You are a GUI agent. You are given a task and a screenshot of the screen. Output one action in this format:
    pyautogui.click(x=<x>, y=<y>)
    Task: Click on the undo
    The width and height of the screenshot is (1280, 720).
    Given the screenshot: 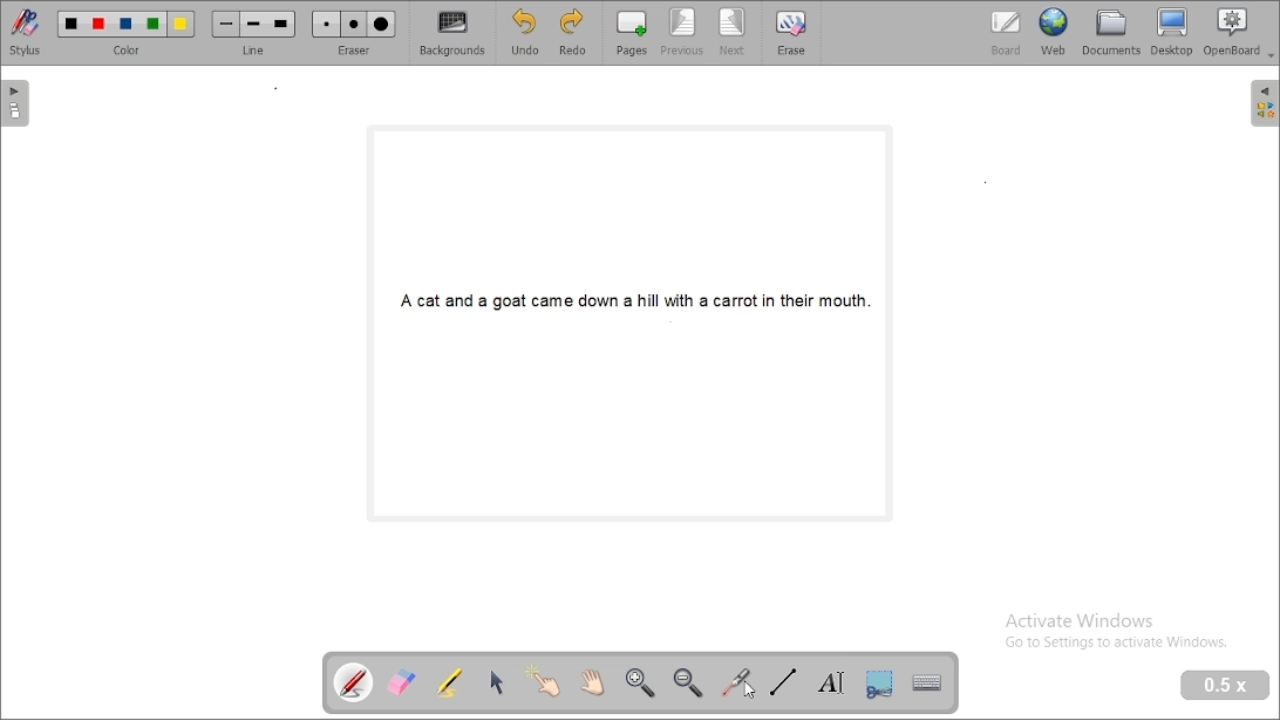 What is the action you would take?
    pyautogui.click(x=525, y=33)
    